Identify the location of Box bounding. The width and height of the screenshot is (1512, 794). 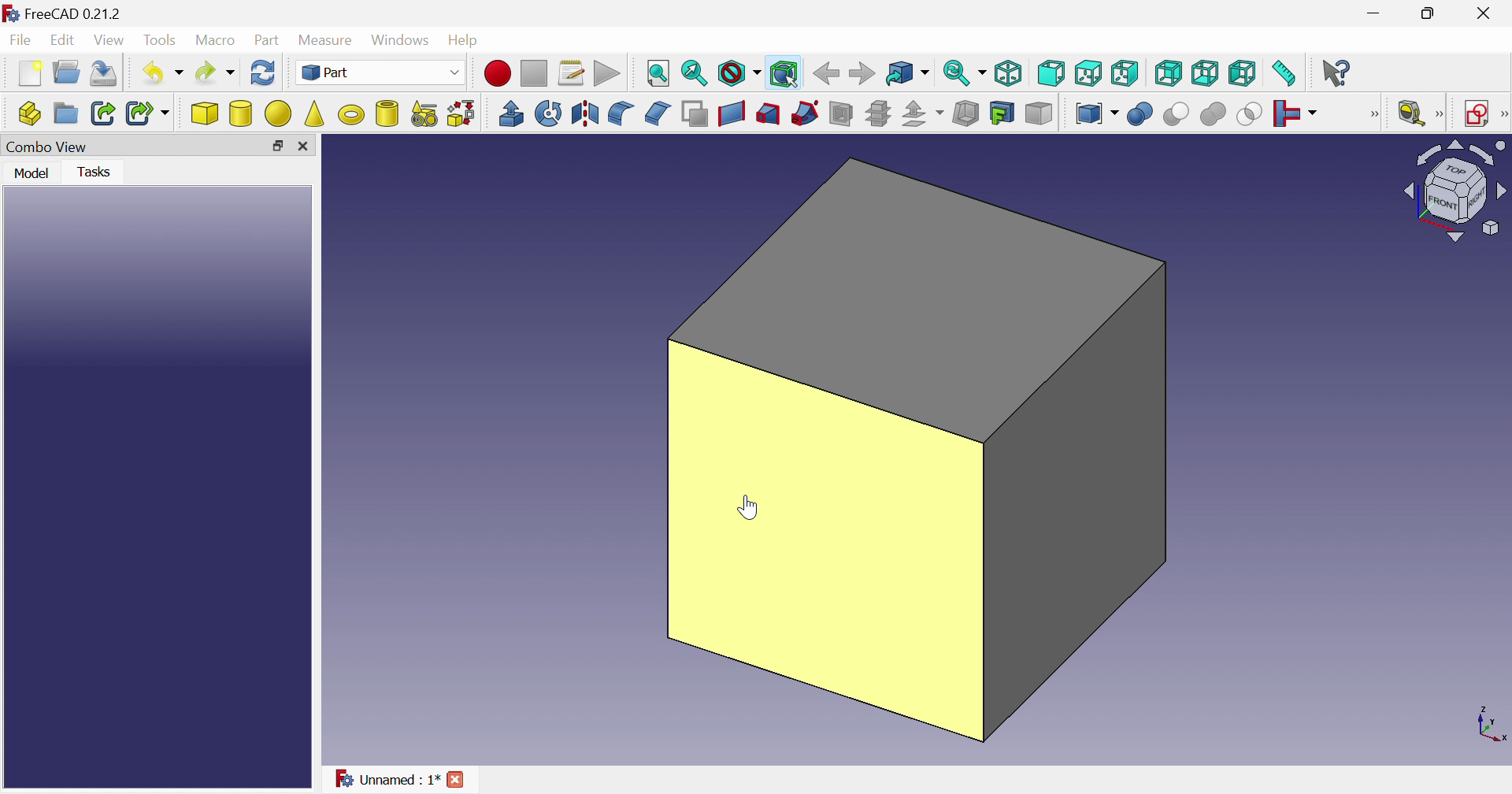
(785, 75).